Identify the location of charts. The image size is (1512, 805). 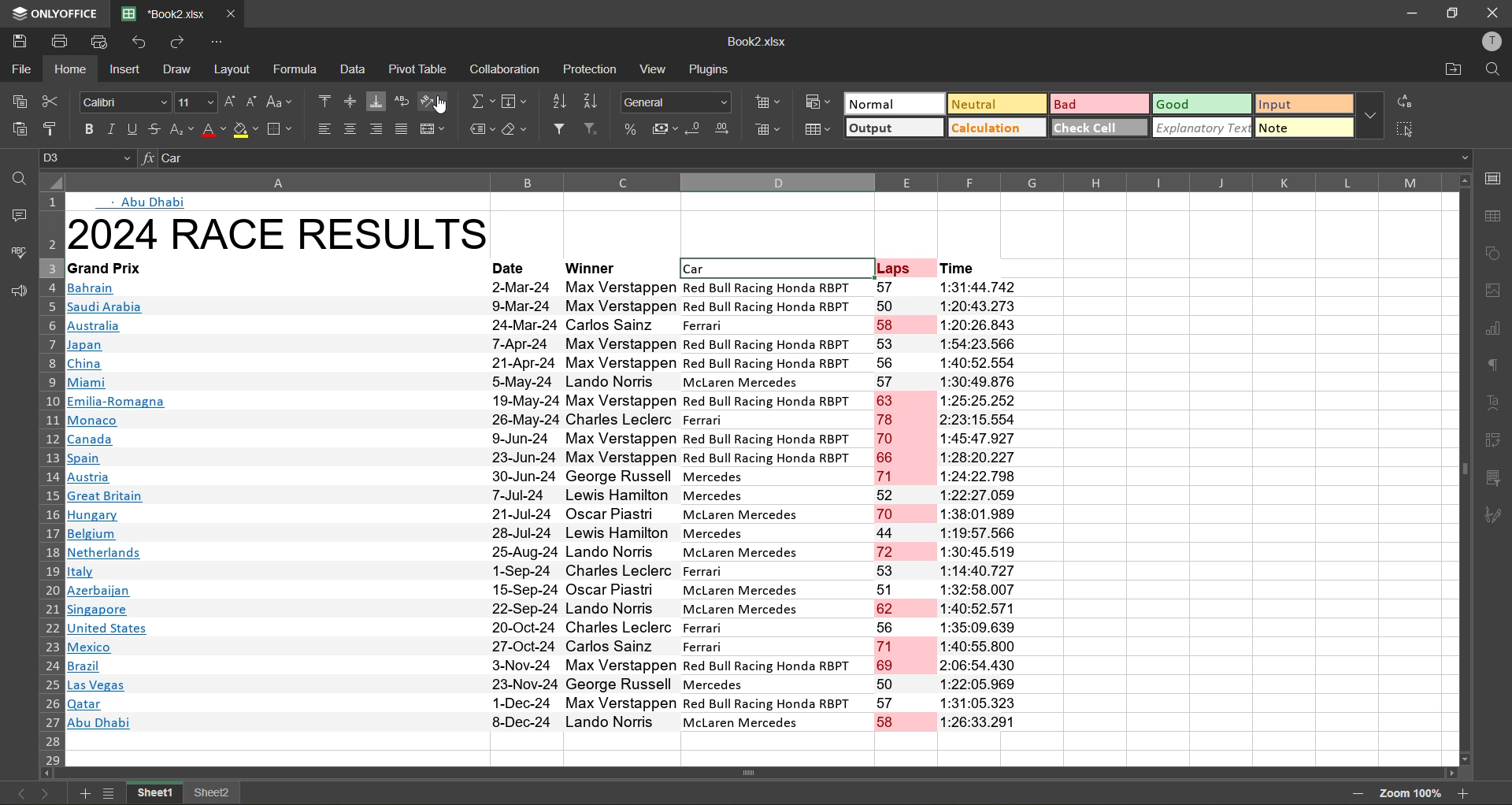
(1496, 331).